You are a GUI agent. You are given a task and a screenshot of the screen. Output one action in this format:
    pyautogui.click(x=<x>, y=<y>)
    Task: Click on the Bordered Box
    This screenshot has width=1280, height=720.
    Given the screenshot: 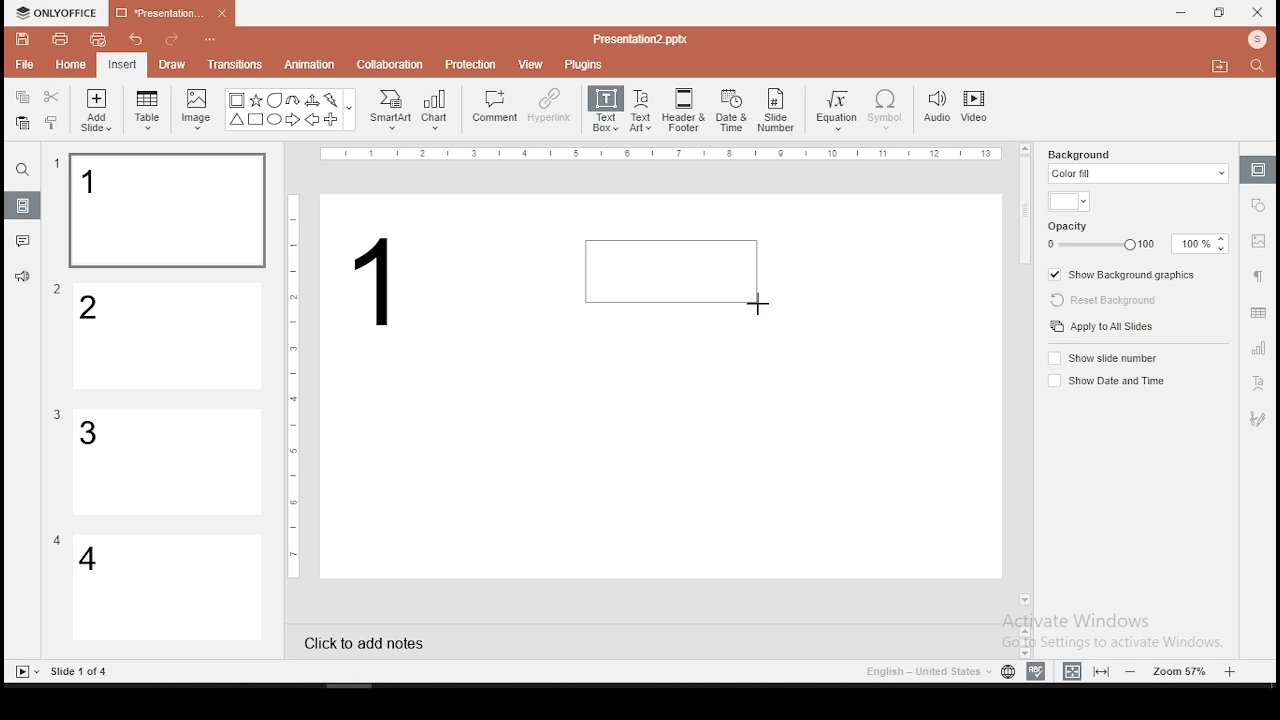 What is the action you would take?
    pyautogui.click(x=237, y=100)
    